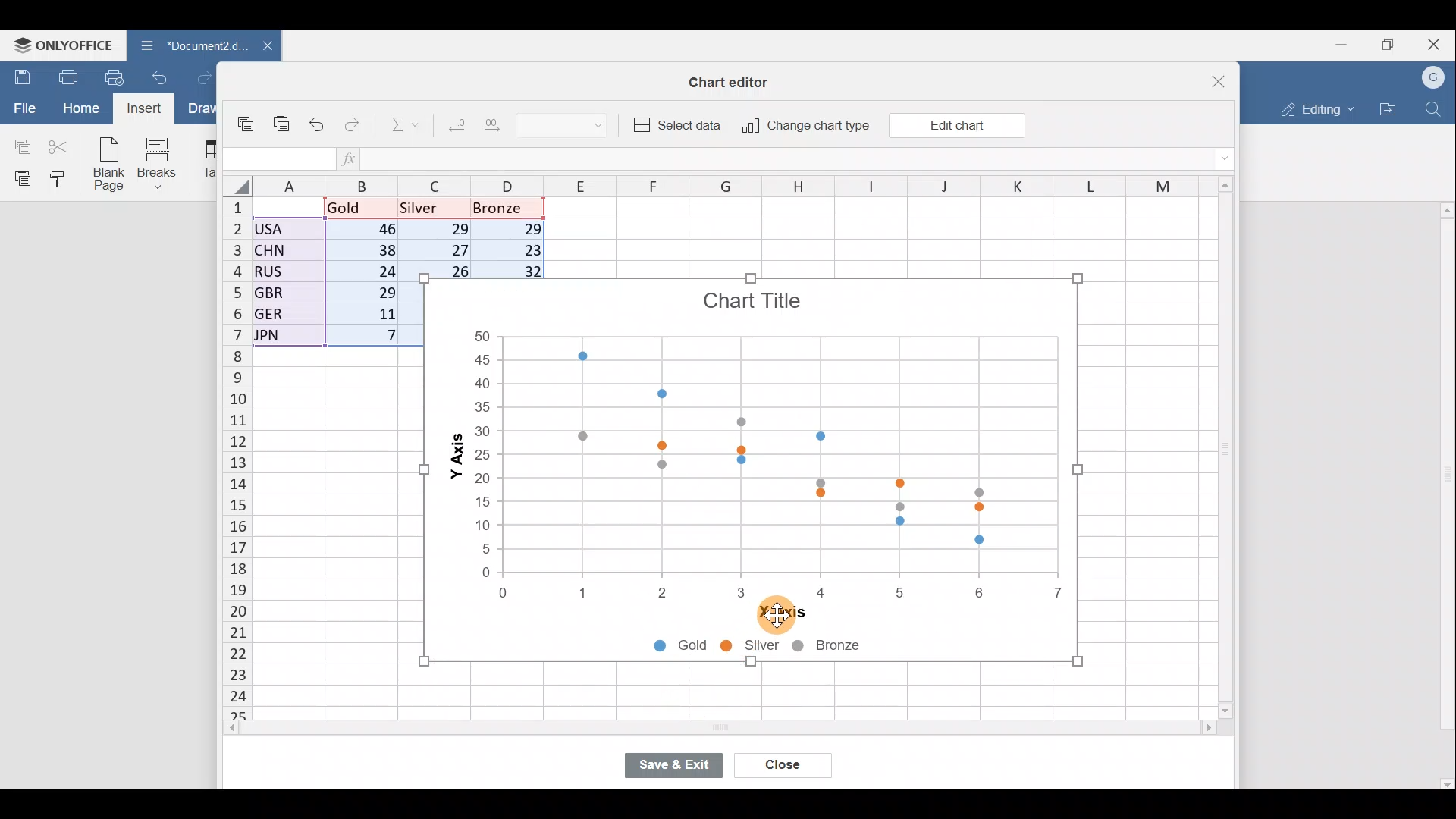  Describe the element at coordinates (679, 125) in the screenshot. I see `Select data` at that location.